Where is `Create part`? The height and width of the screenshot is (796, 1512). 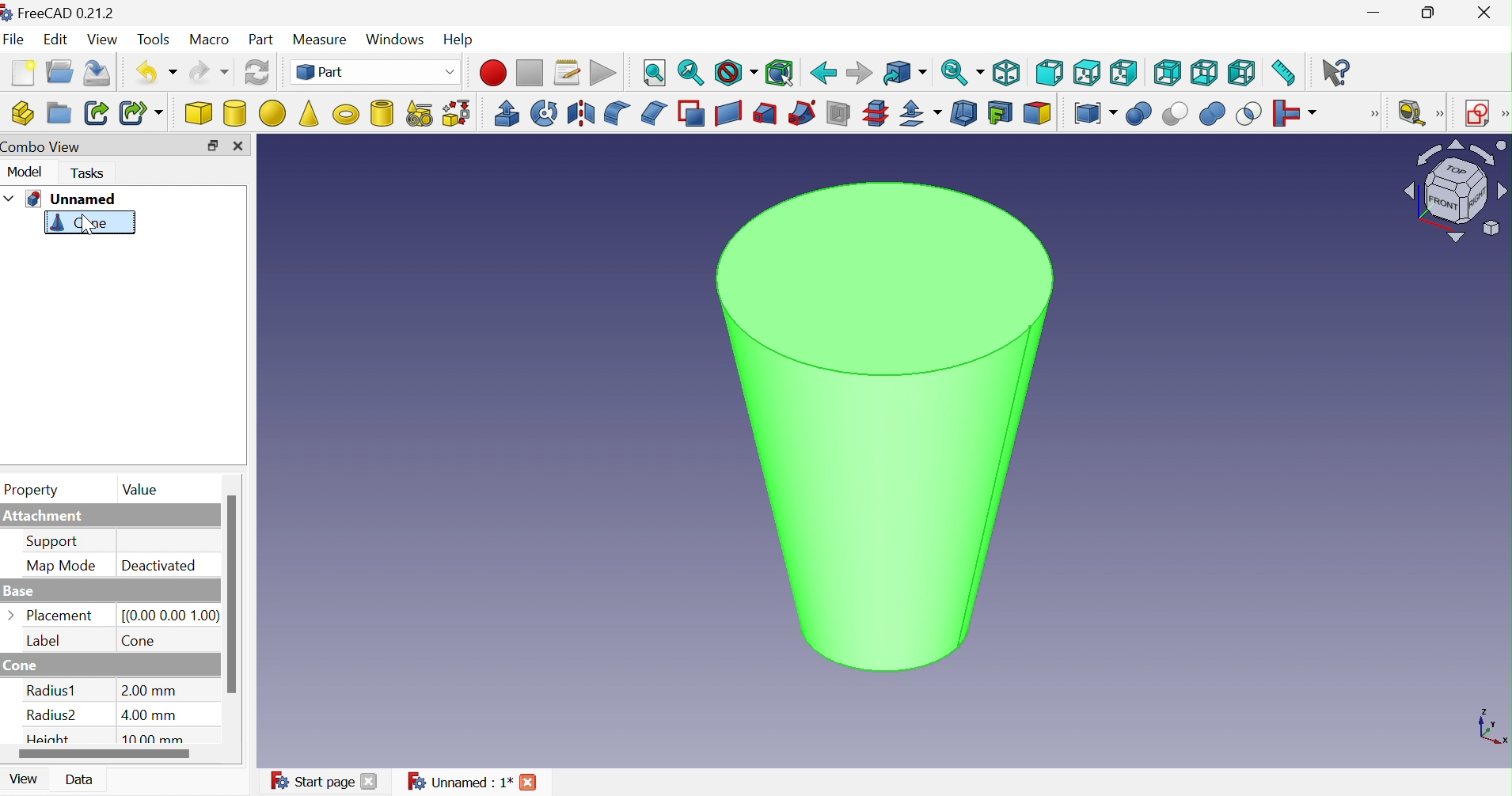 Create part is located at coordinates (23, 111).